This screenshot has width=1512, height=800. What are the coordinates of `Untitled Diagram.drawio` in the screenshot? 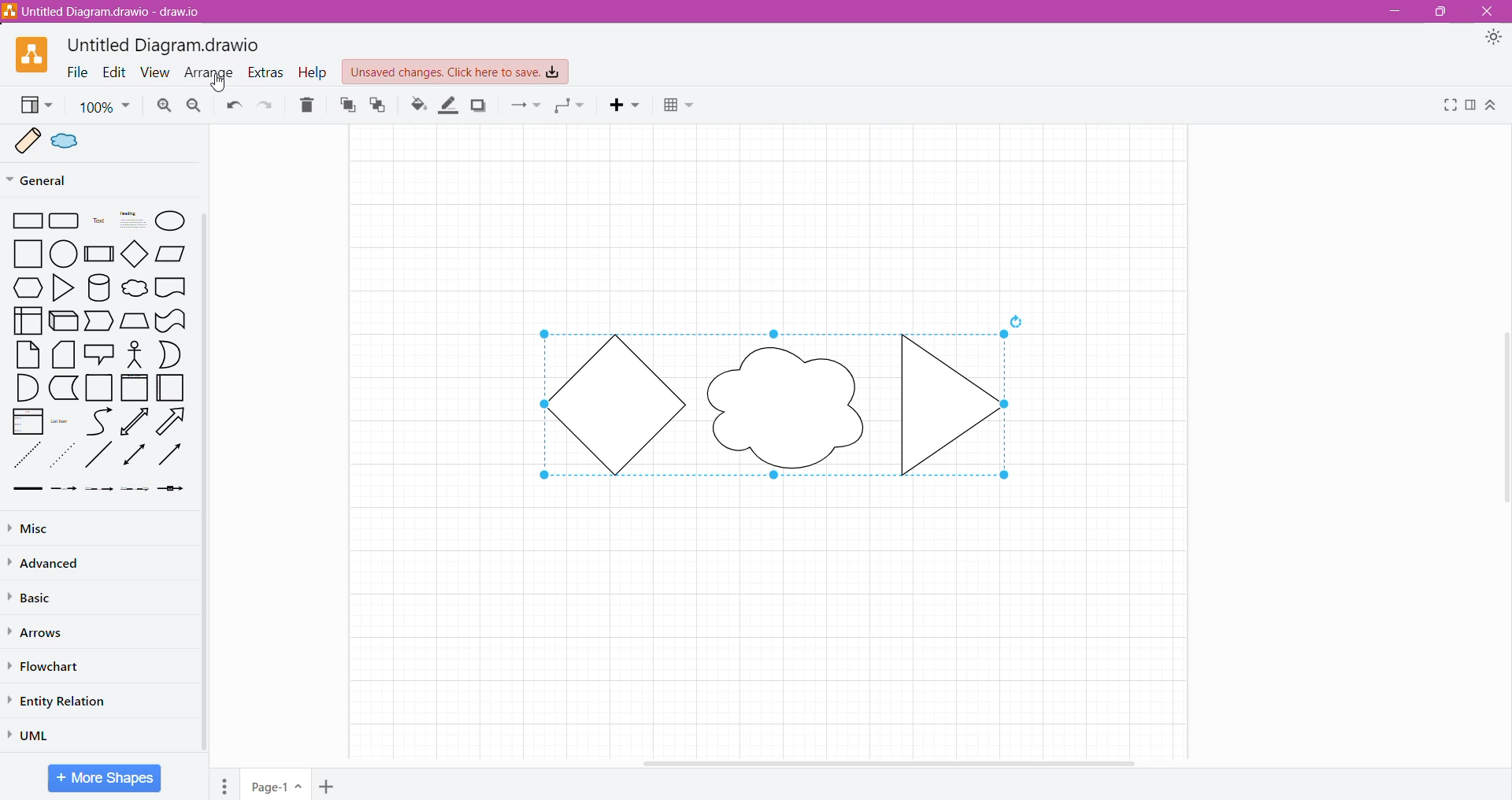 It's located at (162, 43).